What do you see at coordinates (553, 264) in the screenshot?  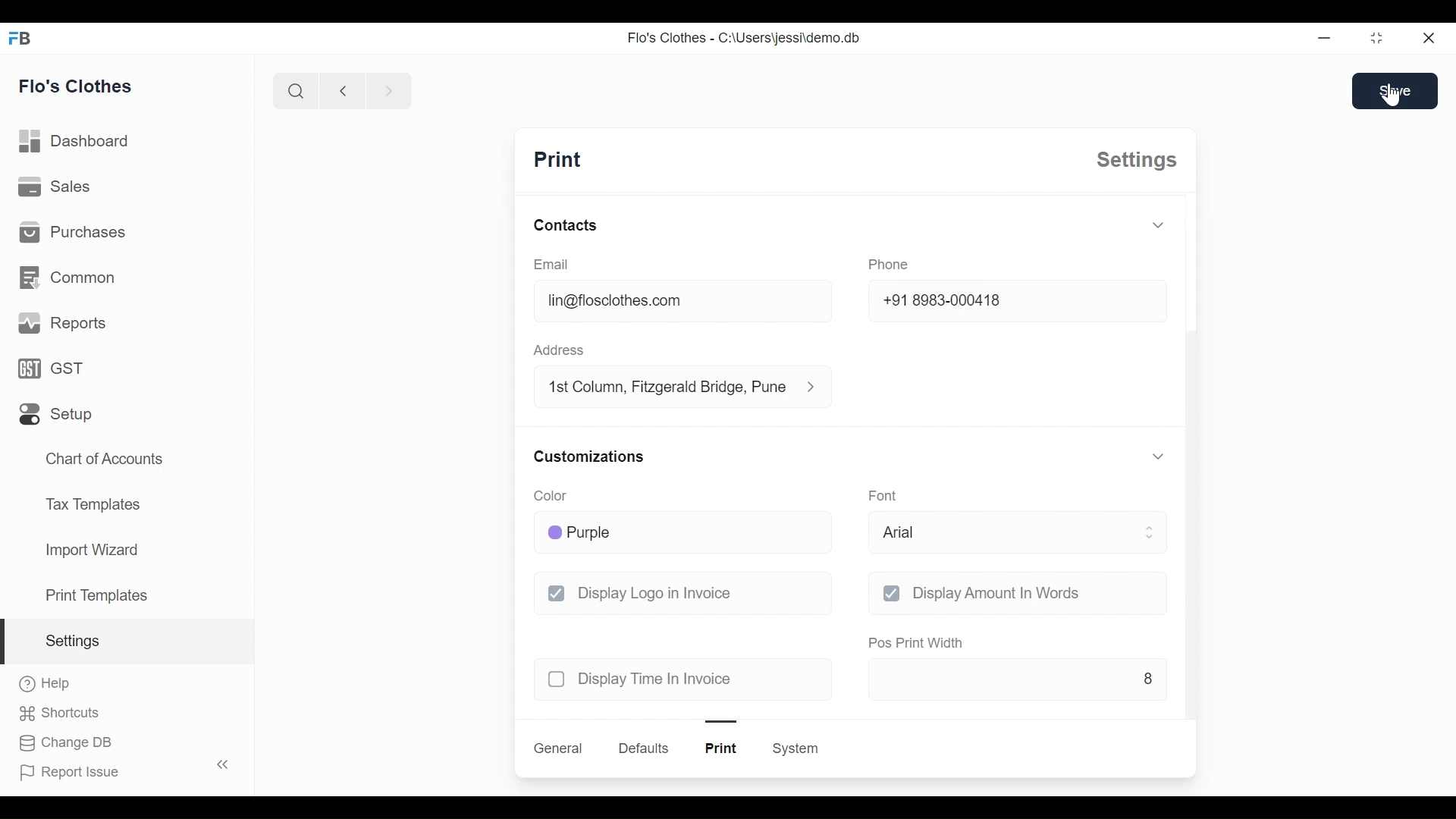 I see `email` at bounding box center [553, 264].